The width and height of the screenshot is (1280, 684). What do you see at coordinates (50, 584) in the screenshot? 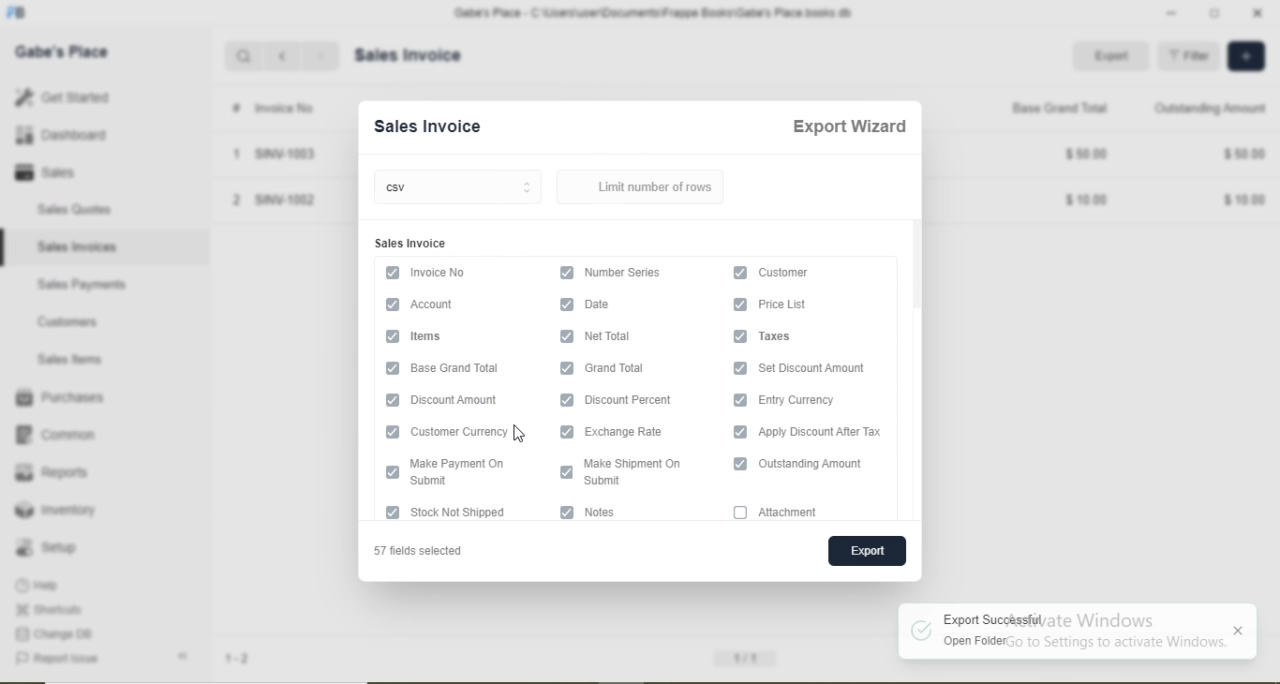
I see `Help` at bounding box center [50, 584].